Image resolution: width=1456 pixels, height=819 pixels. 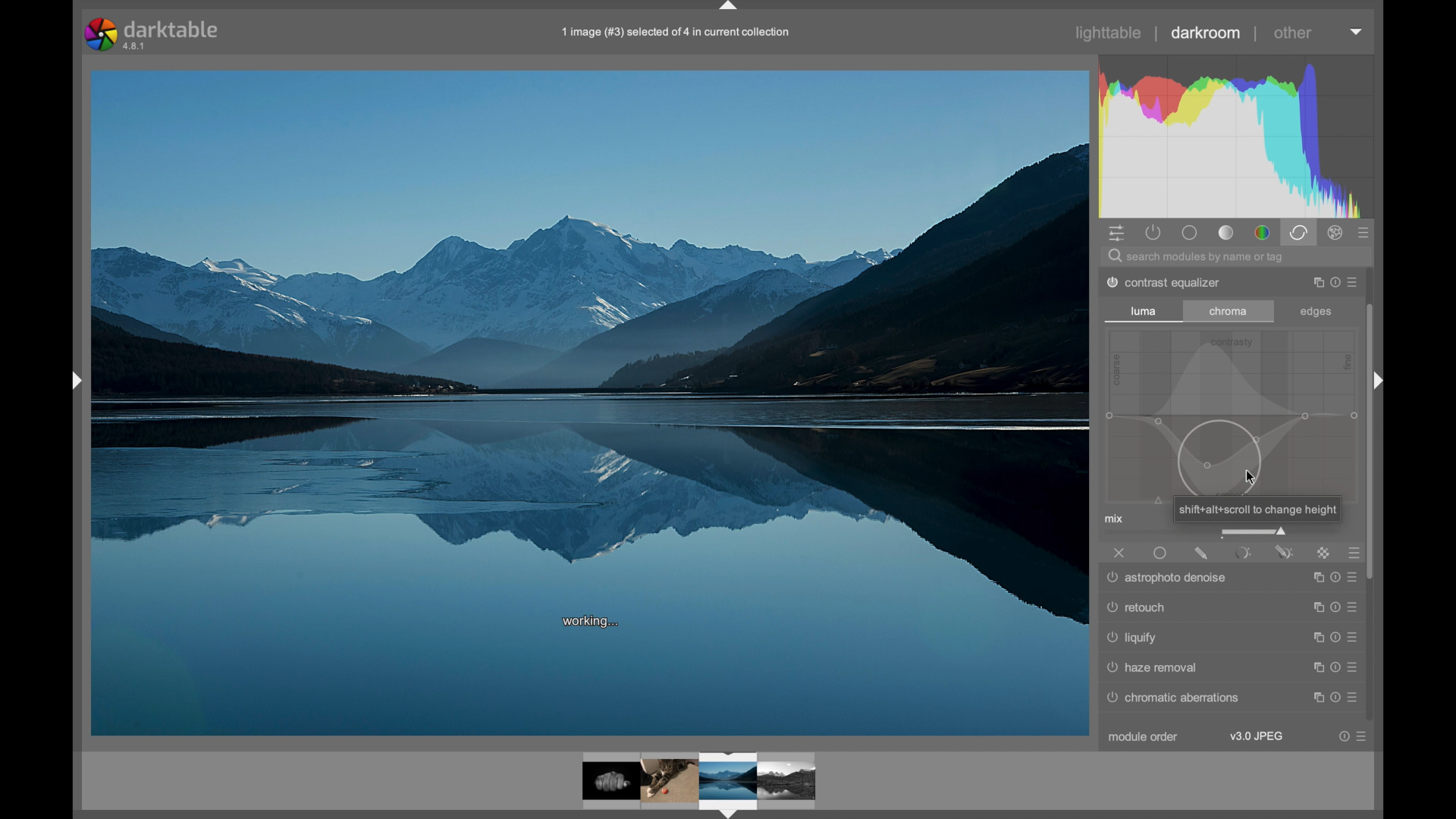 What do you see at coordinates (1241, 256) in the screenshot?
I see `search bar` at bounding box center [1241, 256].